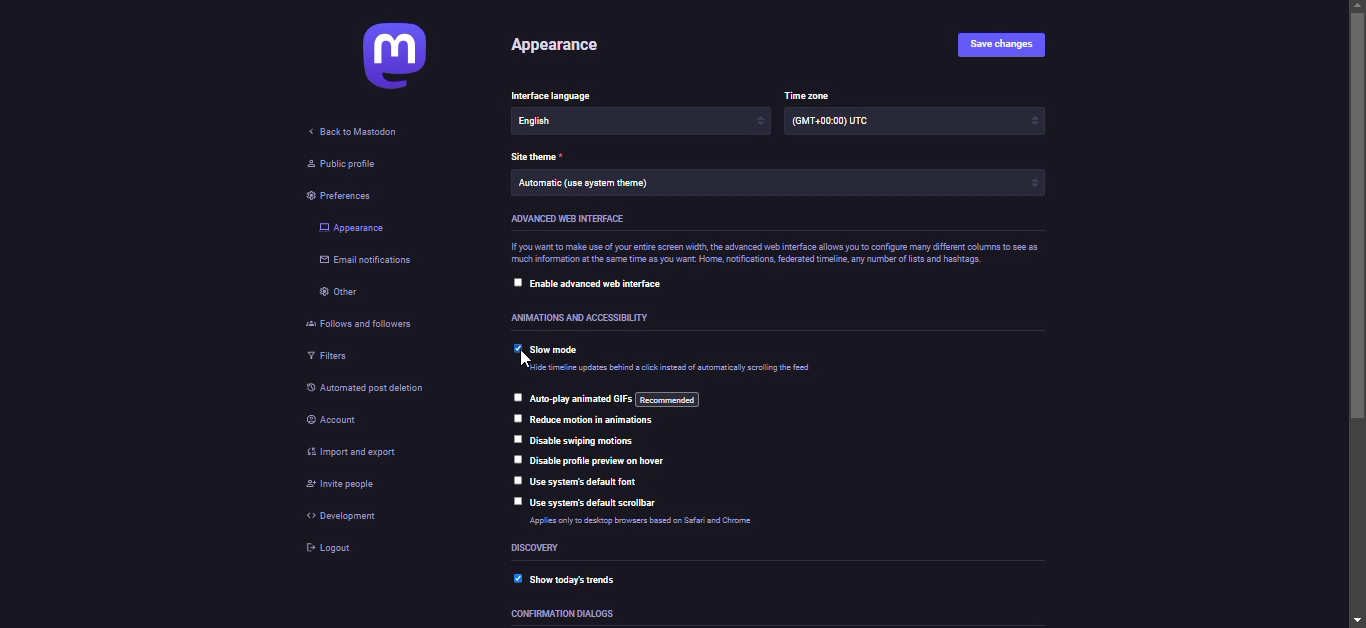 The width and height of the screenshot is (1366, 628). What do you see at coordinates (536, 549) in the screenshot?
I see `discovery` at bounding box center [536, 549].